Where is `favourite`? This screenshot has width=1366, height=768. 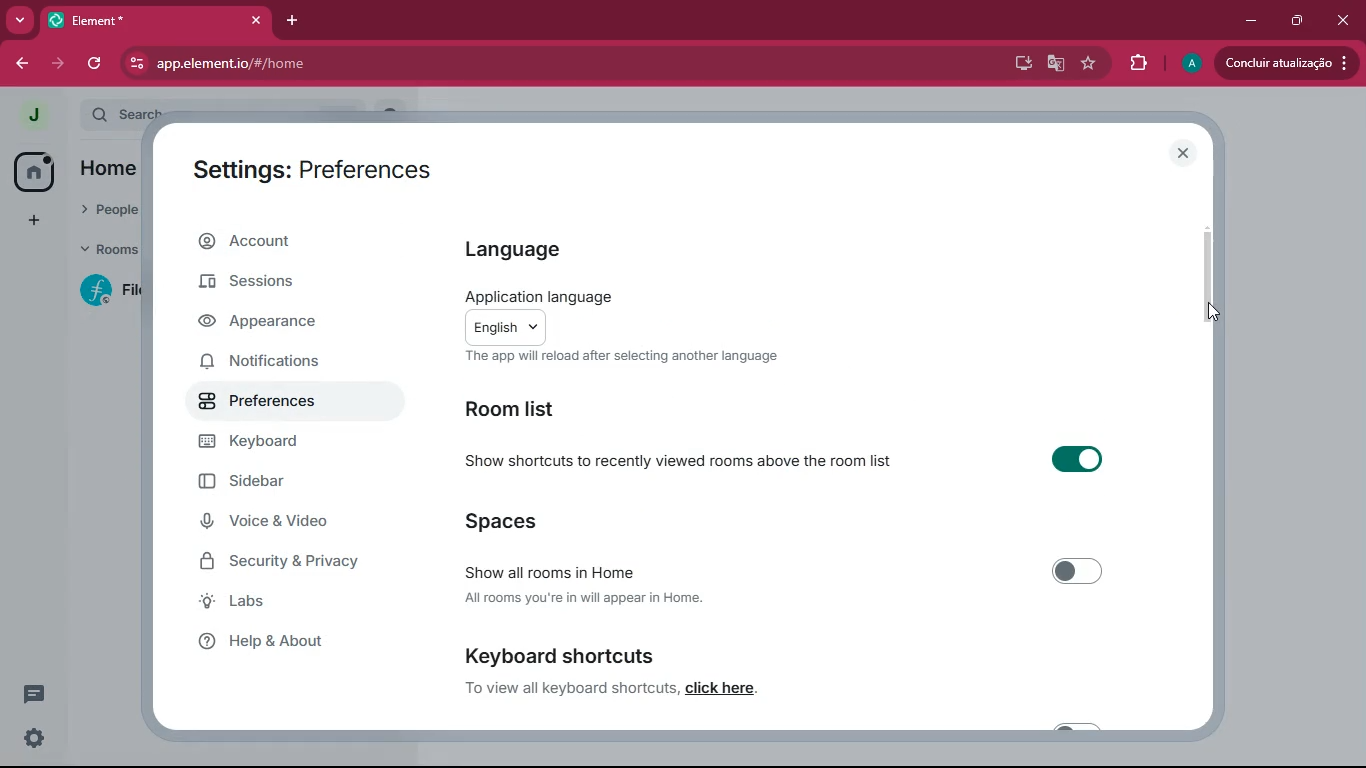 favourite is located at coordinates (1089, 64).